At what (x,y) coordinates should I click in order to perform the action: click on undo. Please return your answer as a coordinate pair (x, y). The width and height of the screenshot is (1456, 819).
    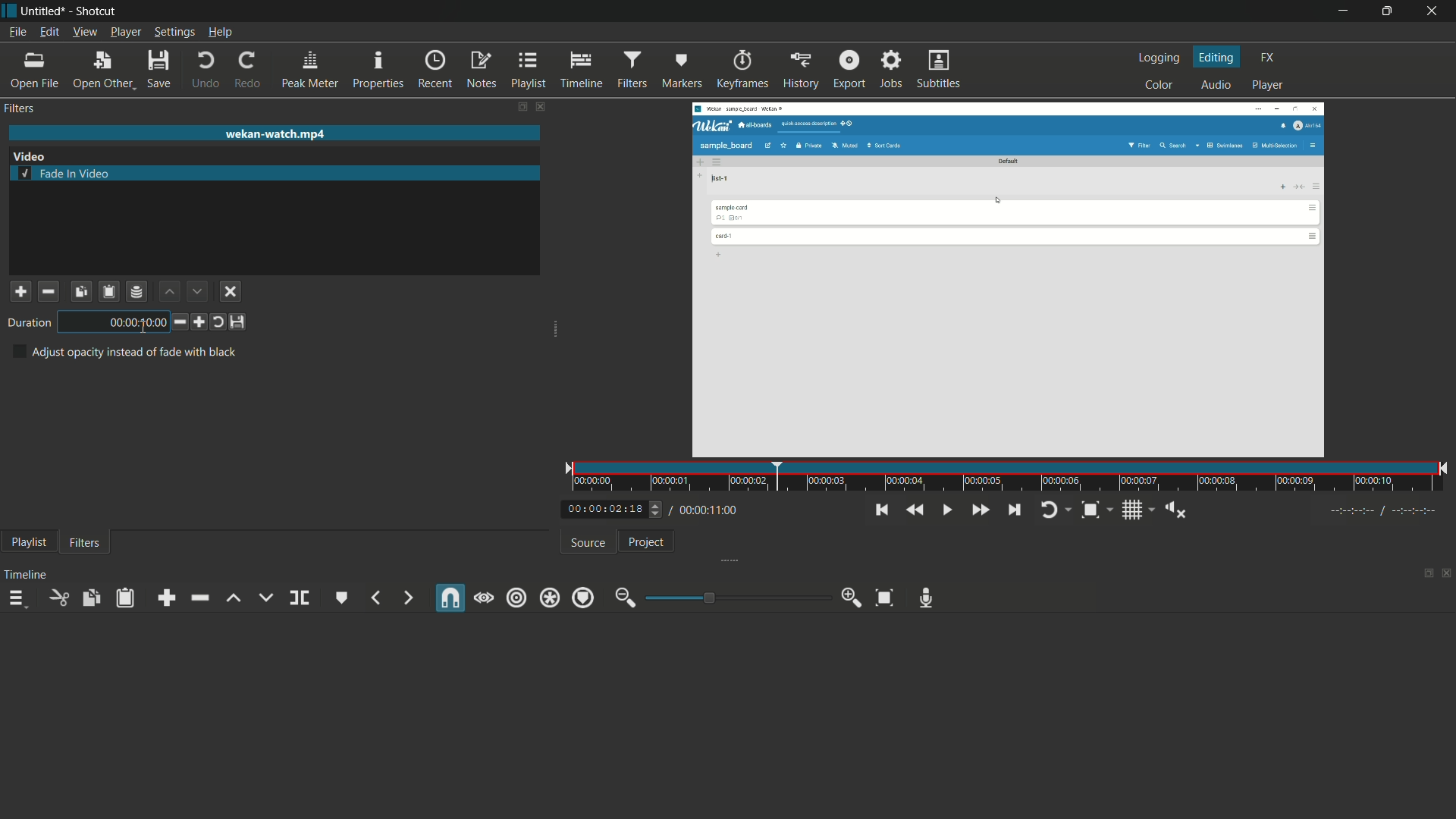
    Looking at the image, I should click on (206, 71).